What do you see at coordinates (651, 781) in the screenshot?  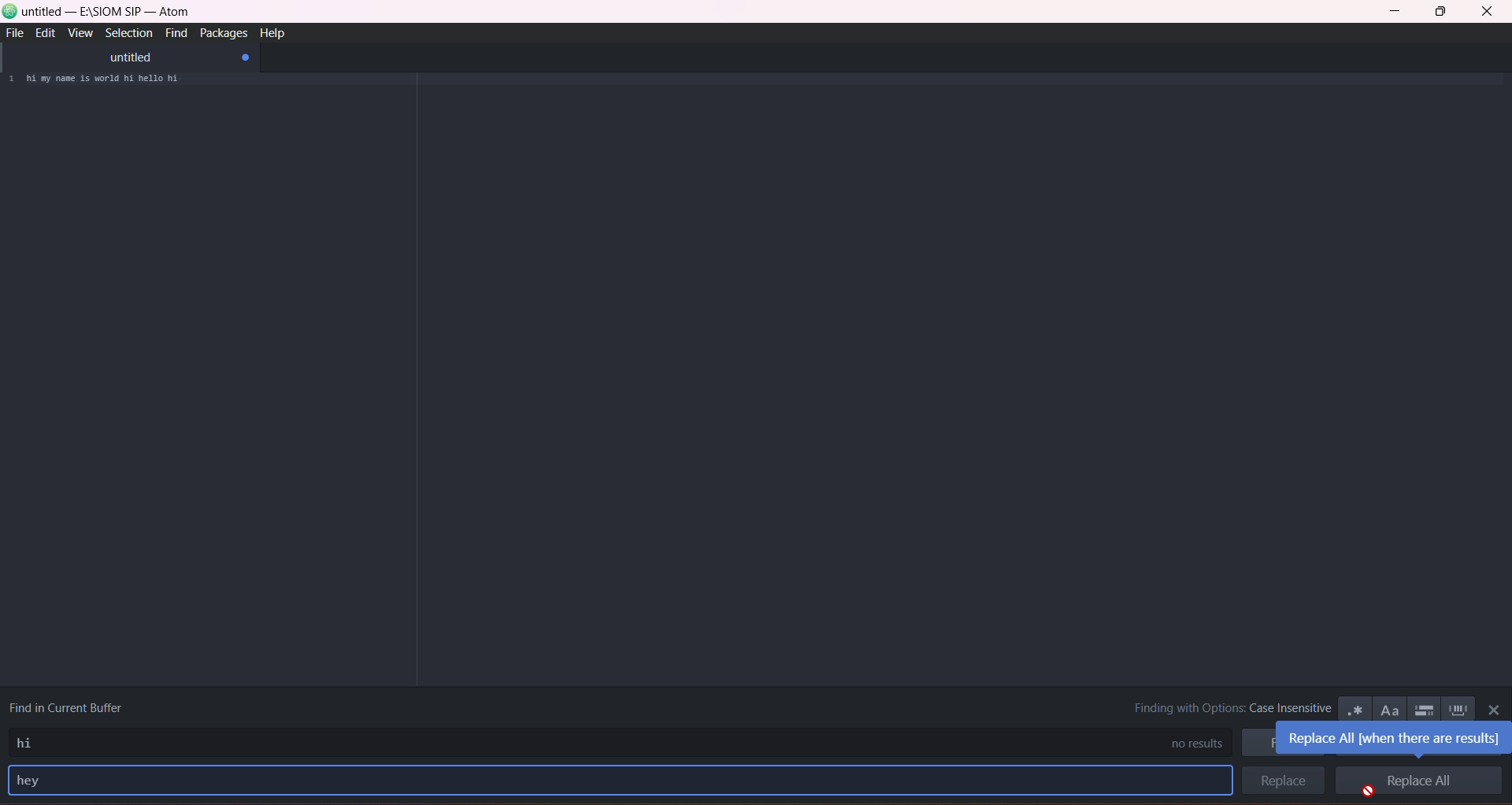 I see `replace type area` at bounding box center [651, 781].